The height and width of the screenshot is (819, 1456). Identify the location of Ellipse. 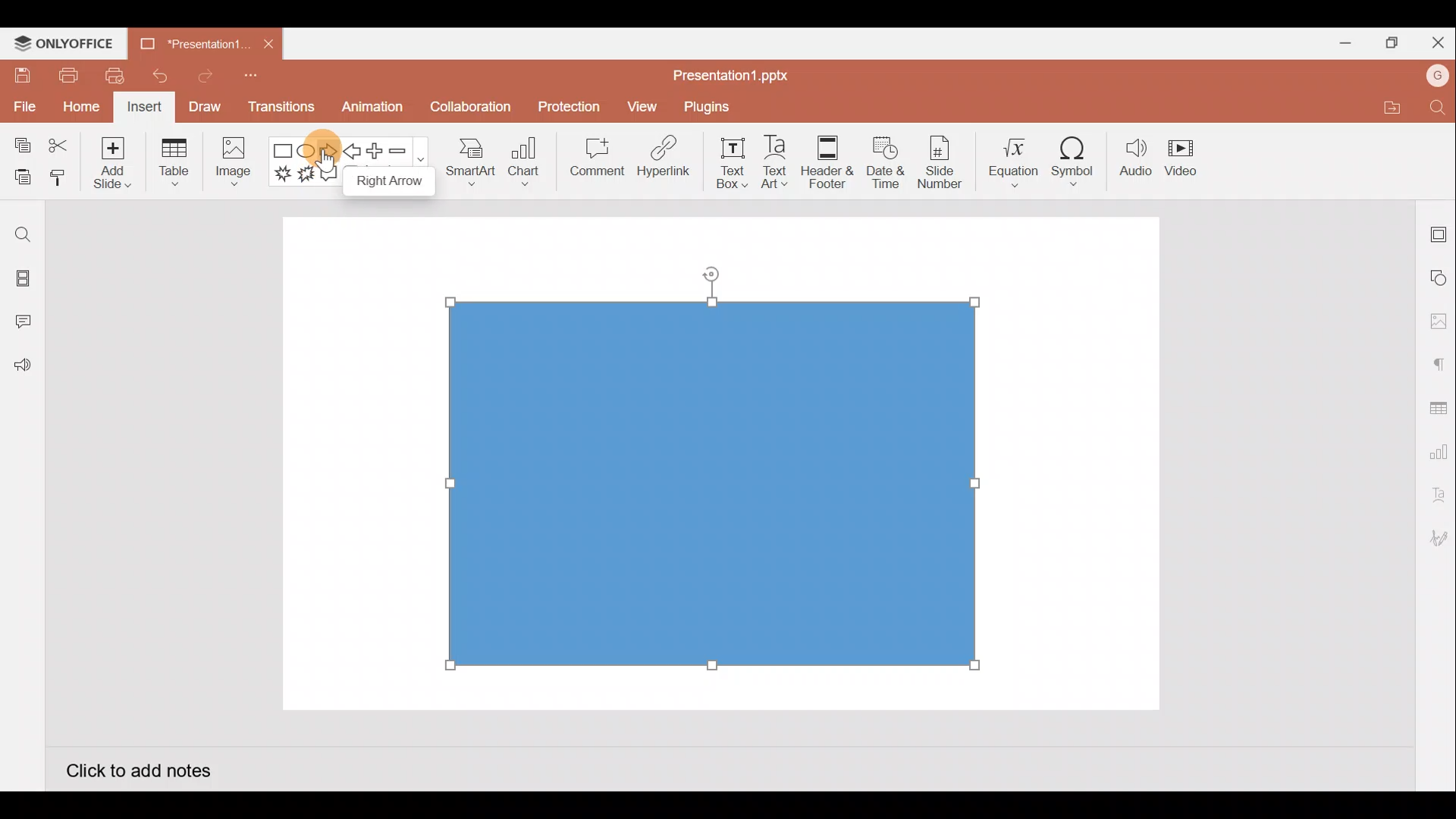
(308, 152).